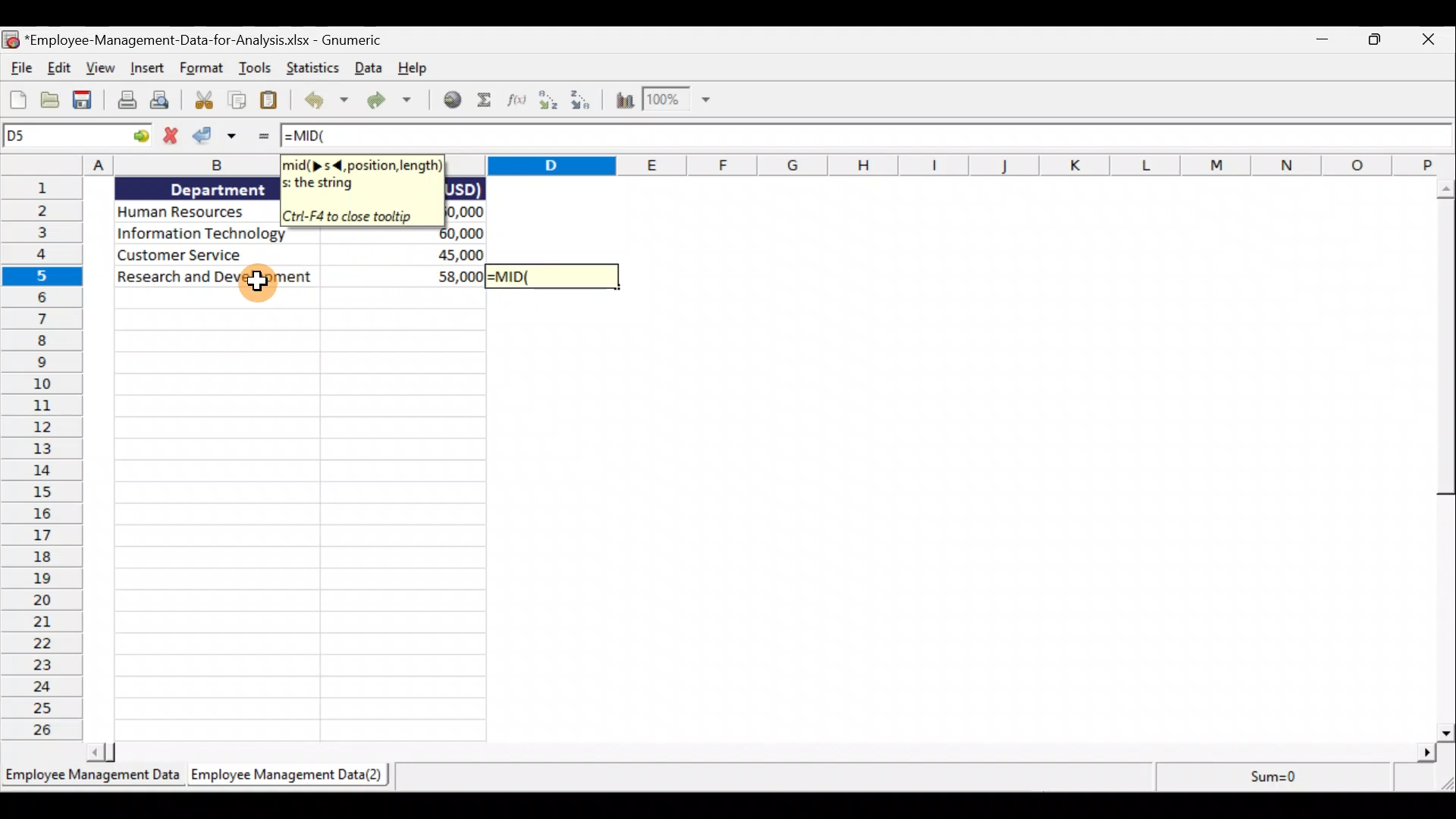 Image resolution: width=1456 pixels, height=819 pixels. I want to click on Insert, so click(149, 68).